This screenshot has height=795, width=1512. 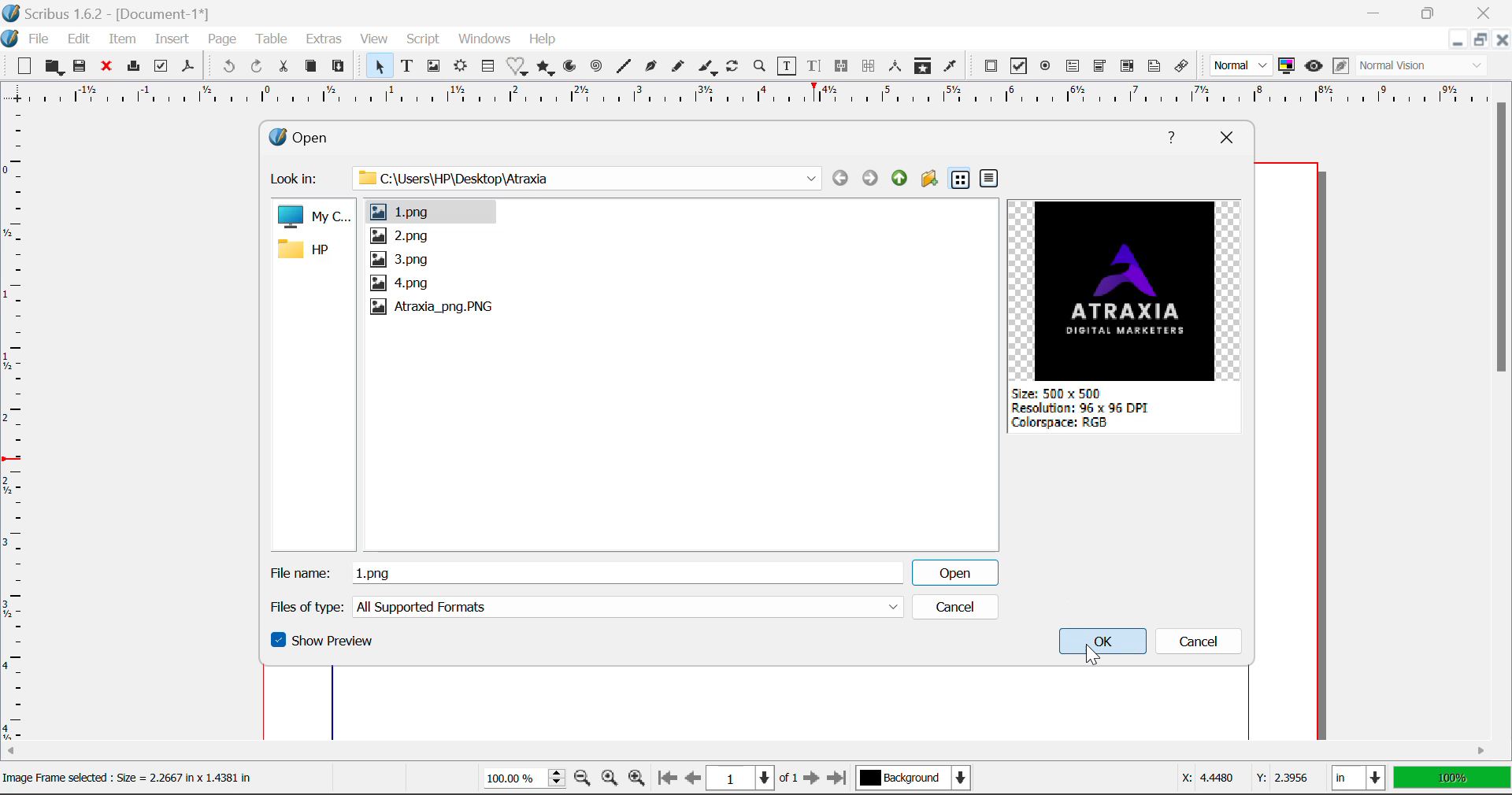 What do you see at coordinates (597, 67) in the screenshot?
I see `Spiral` at bounding box center [597, 67].